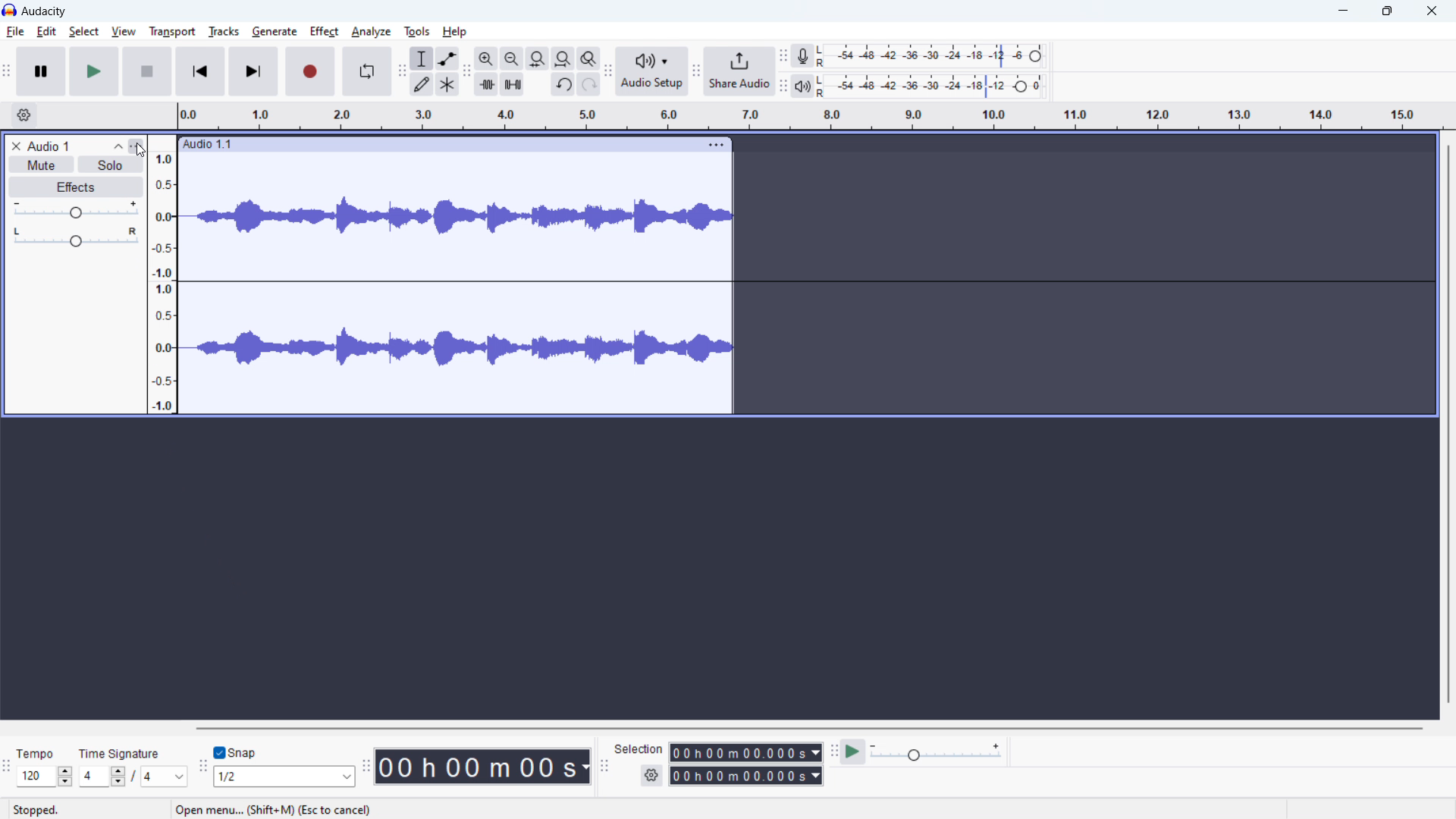  I want to click on fit project to width, so click(563, 58).